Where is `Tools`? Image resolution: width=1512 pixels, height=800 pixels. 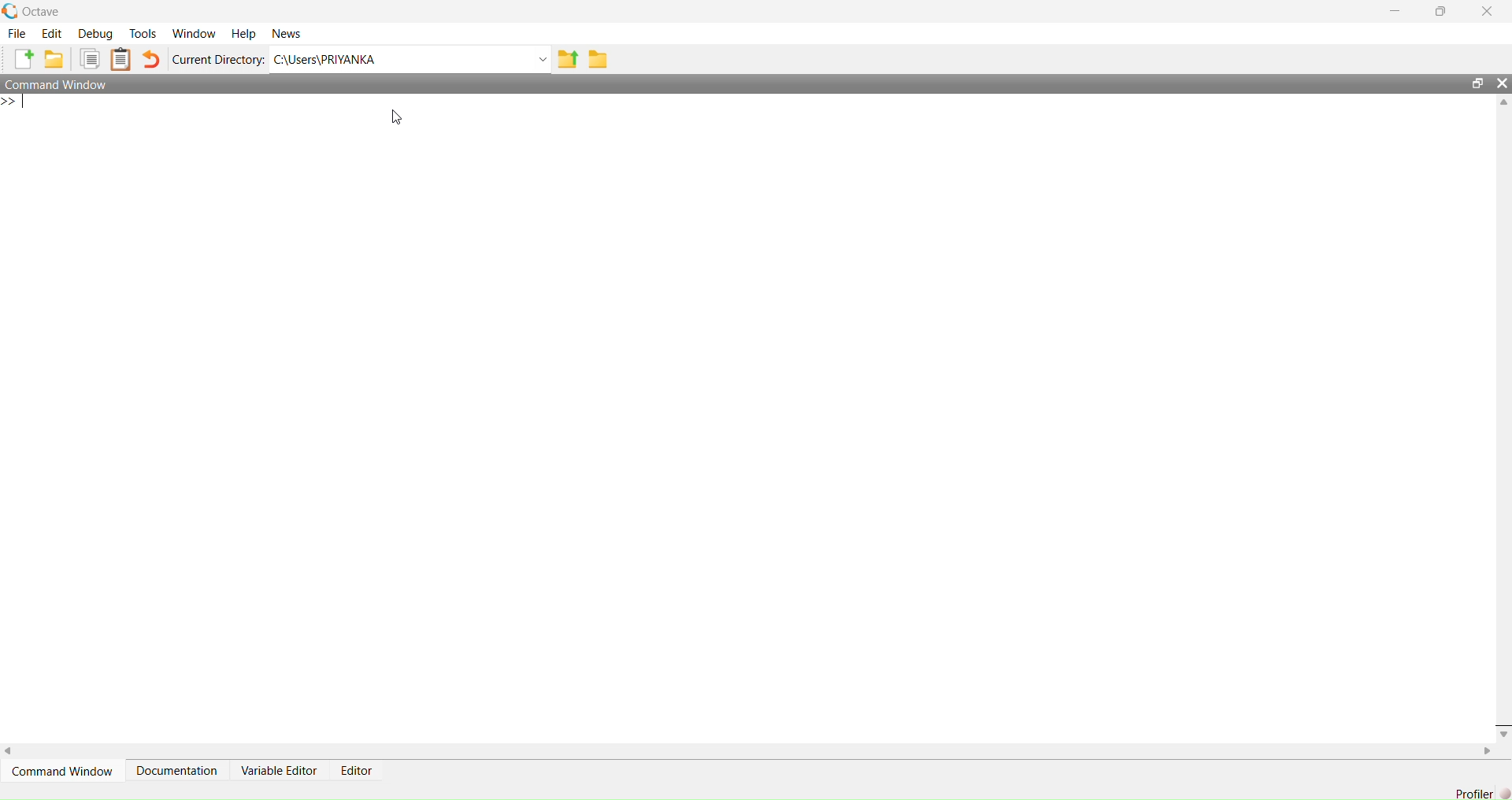
Tools is located at coordinates (142, 33).